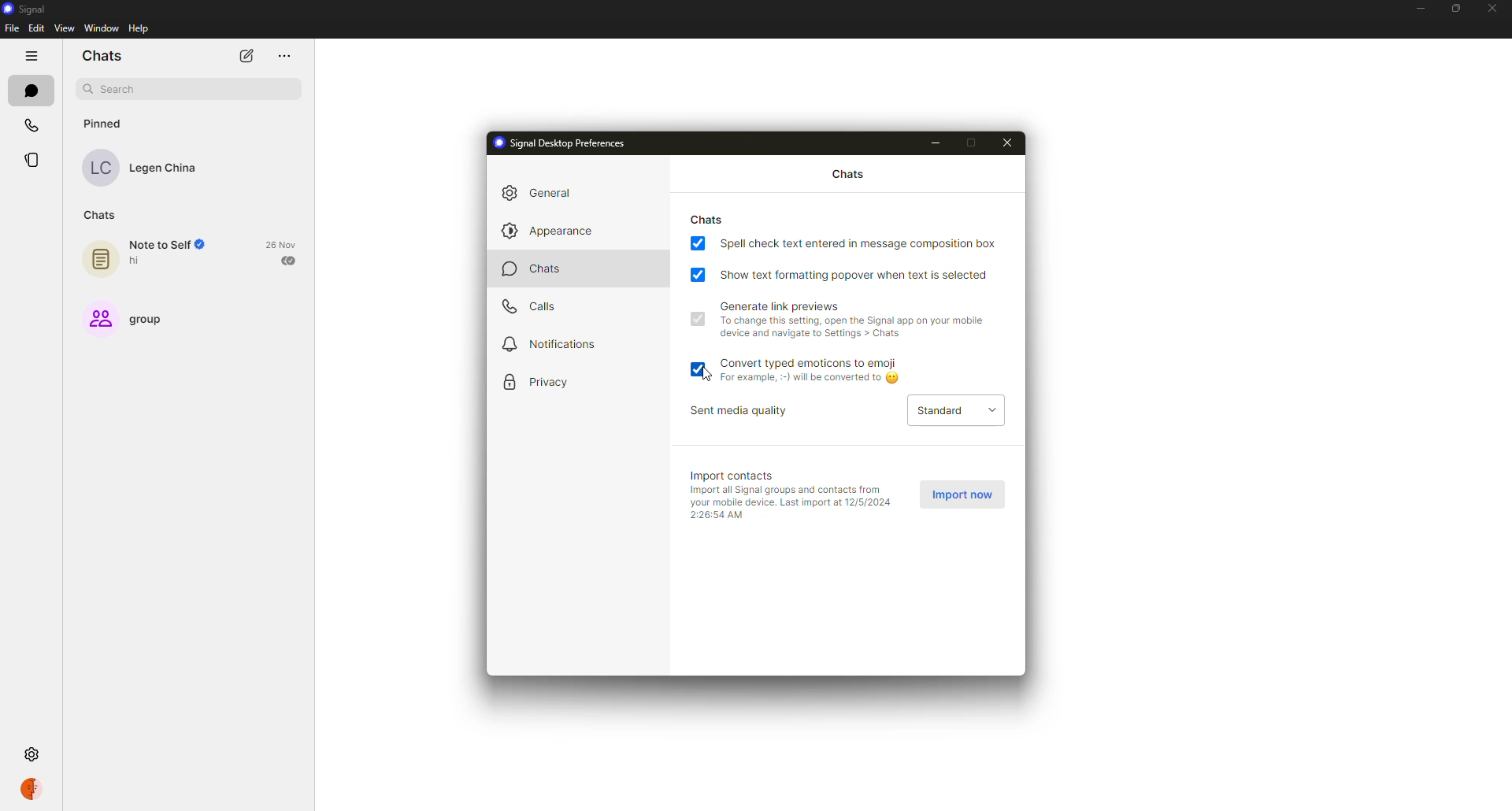  What do you see at coordinates (1418, 9) in the screenshot?
I see `minimize` at bounding box center [1418, 9].